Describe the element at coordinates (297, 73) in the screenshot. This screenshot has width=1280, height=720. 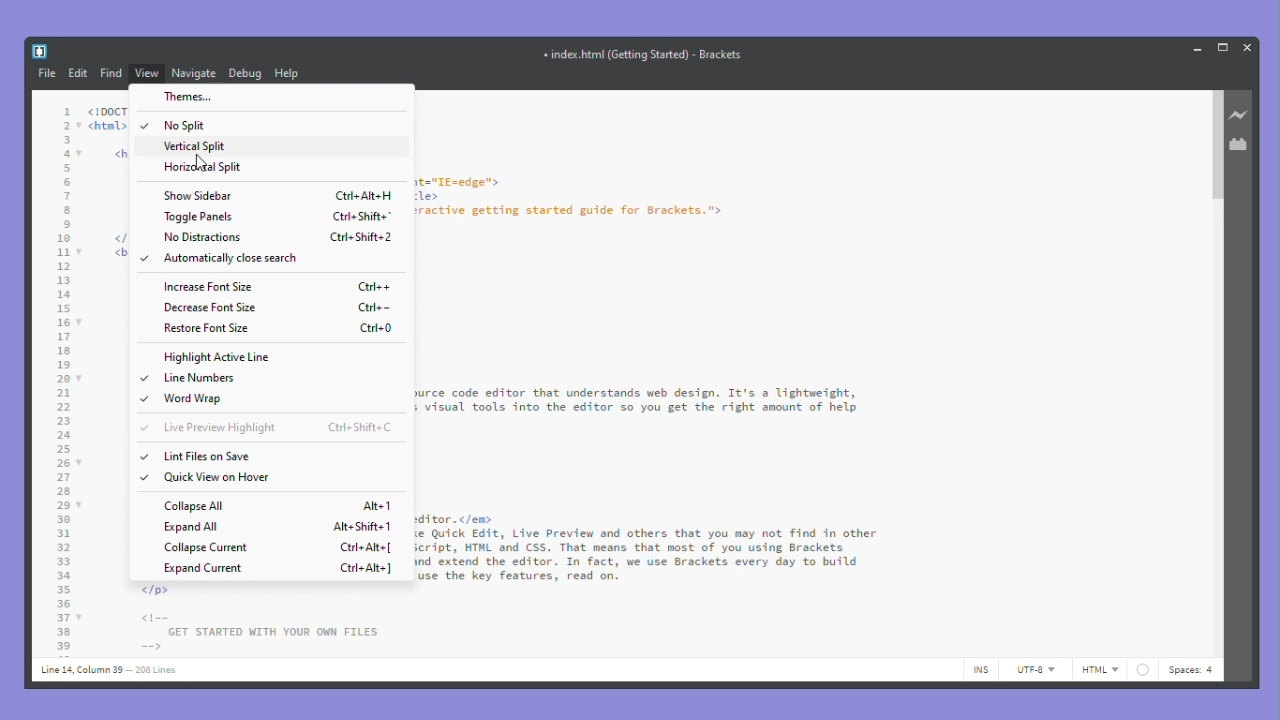
I see `Help` at that location.